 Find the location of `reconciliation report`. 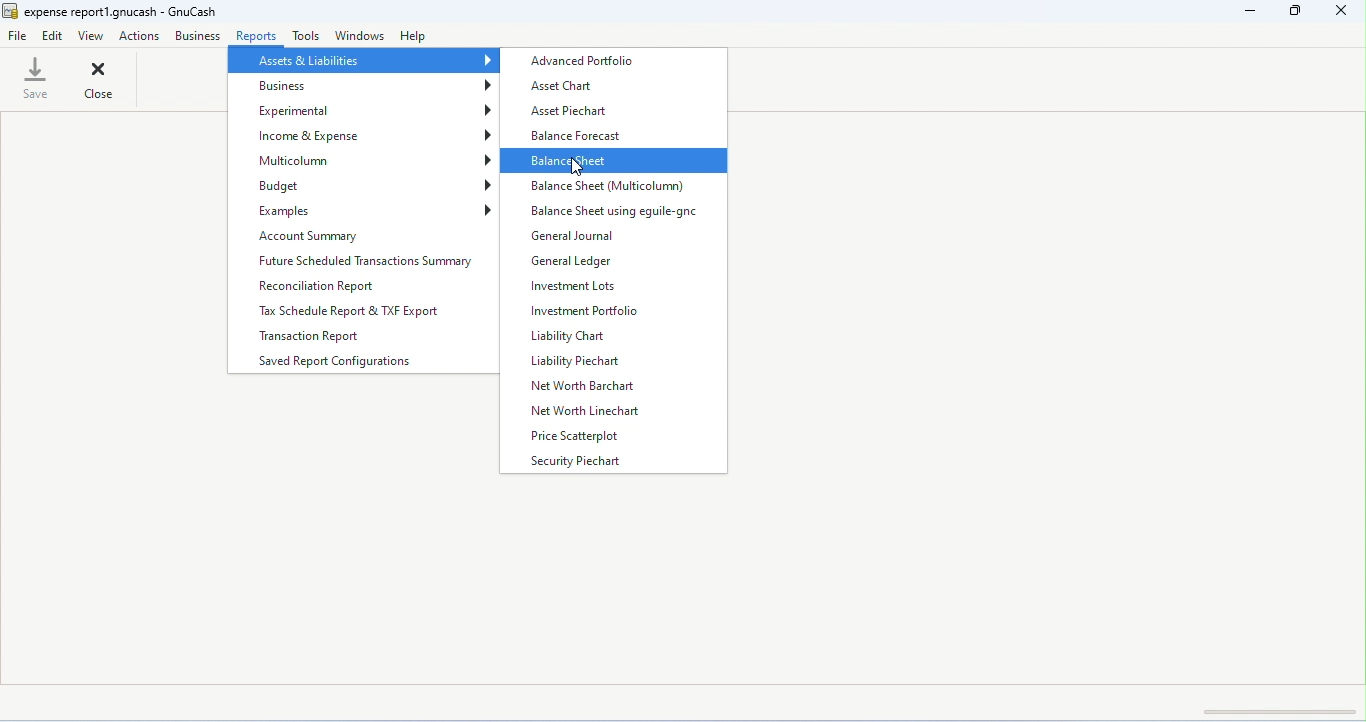

reconciliation report is located at coordinates (323, 286).